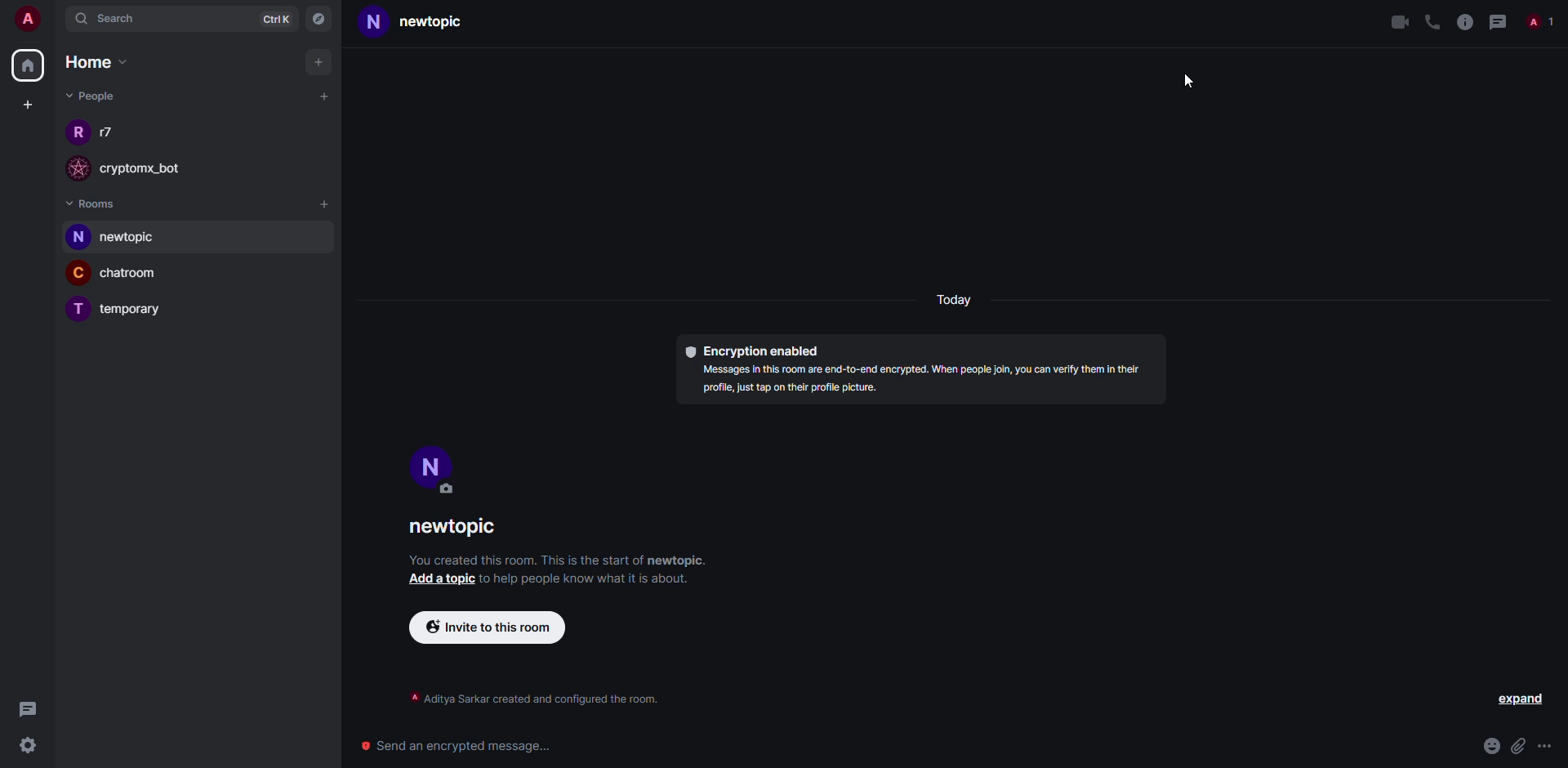 The image size is (1568, 768). What do you see at coordinates (100, 63) in the screenshot?
I see `home` at bounding box center [100, 63].